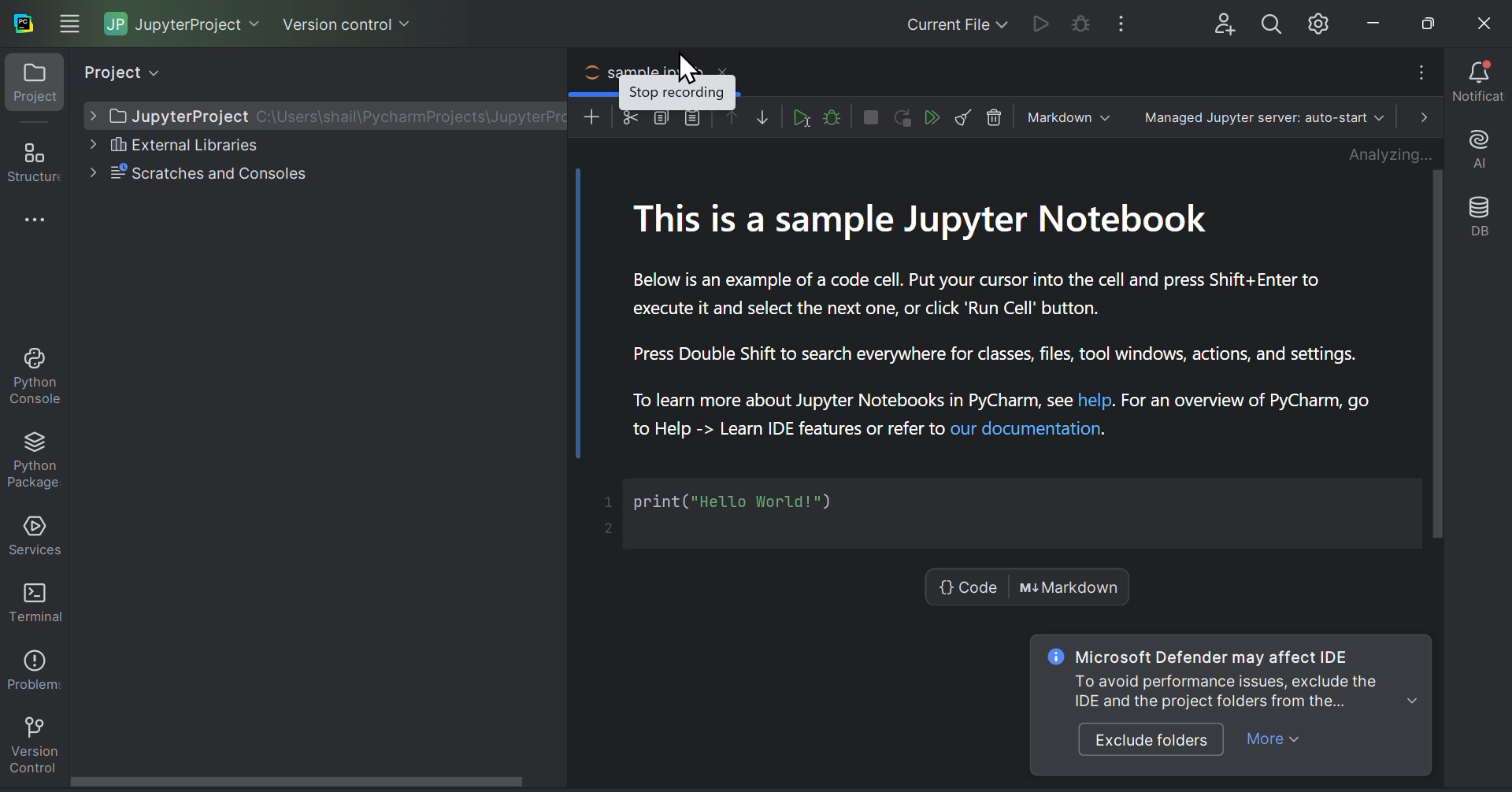 The width and height of the screenshot is (1512, 792). I want to click on exclude, so click(1151, 738).